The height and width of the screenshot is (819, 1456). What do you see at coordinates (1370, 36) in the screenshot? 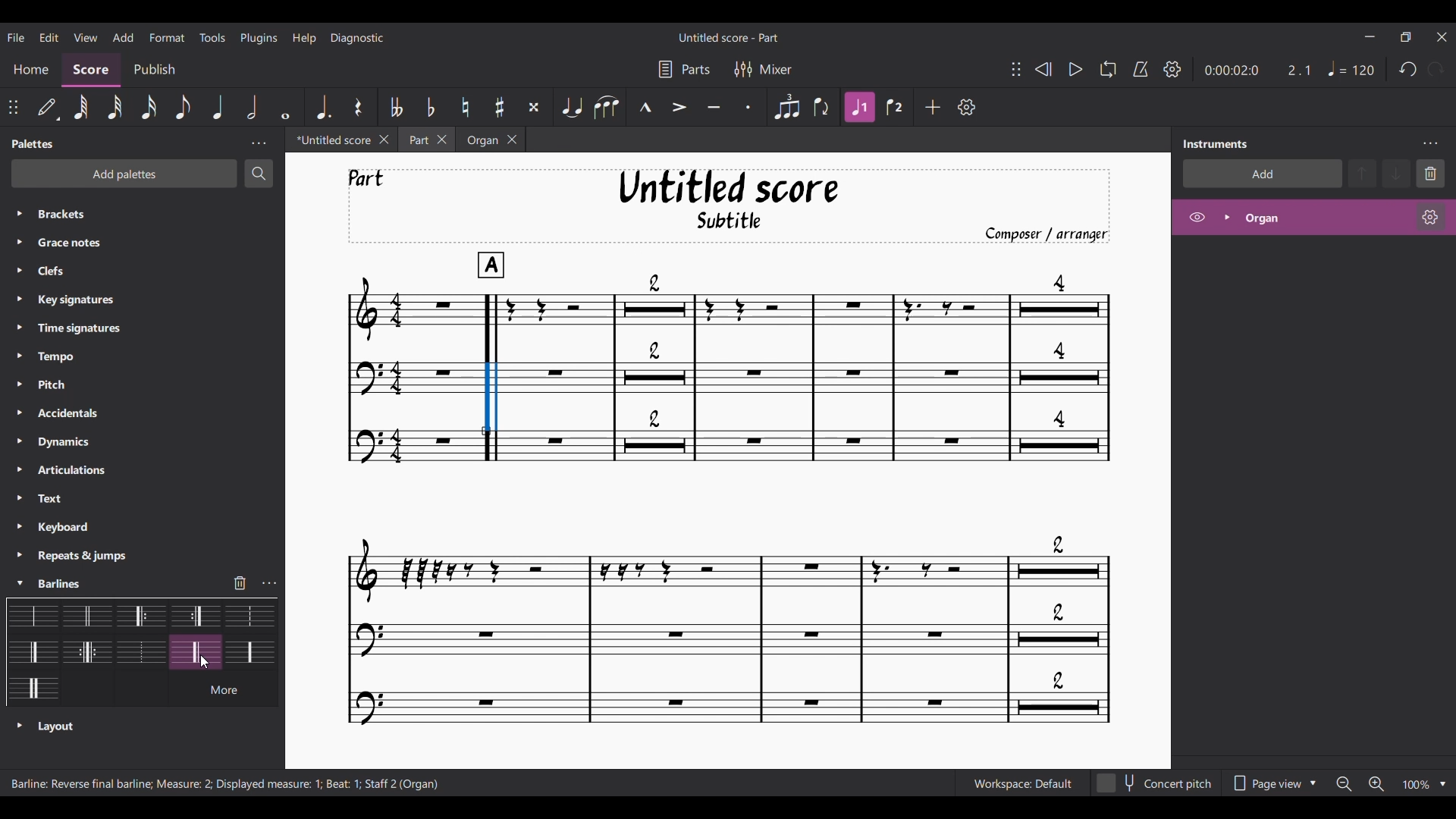
I see `Minimize` at bounding box center [1370, 36].